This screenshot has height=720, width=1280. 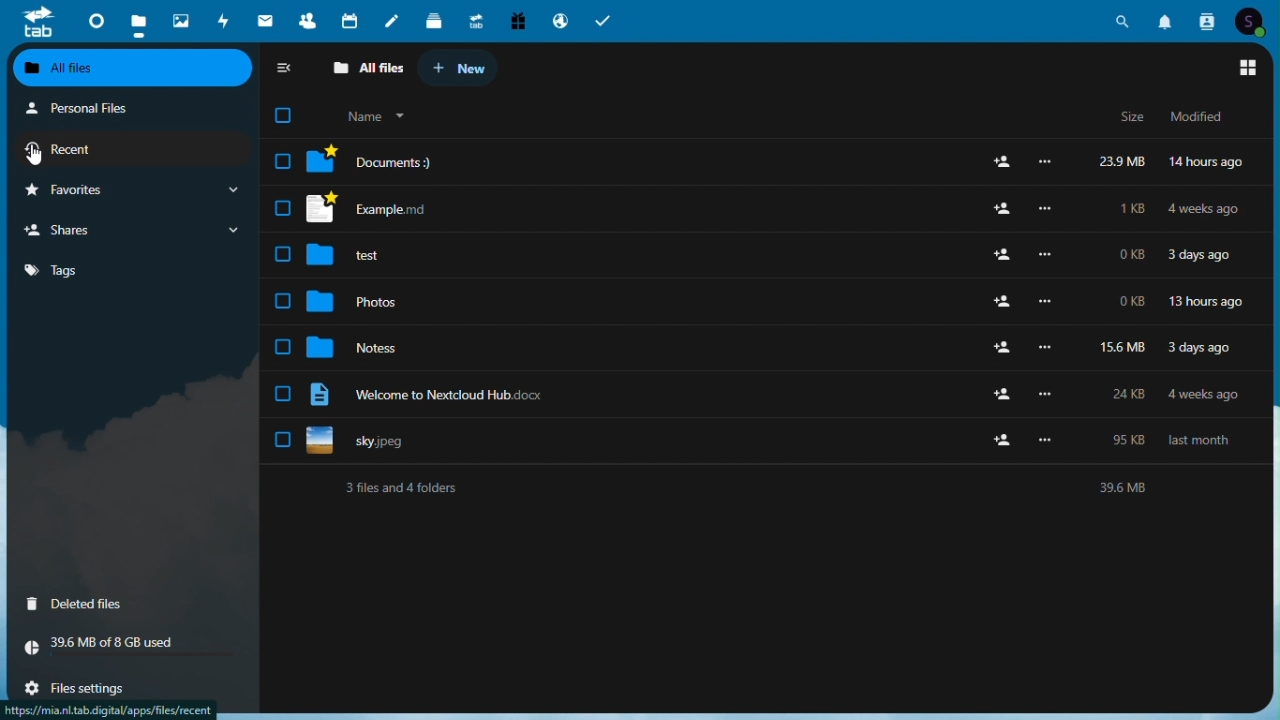 I want to click on checkbox, so click(x=282, y=209).